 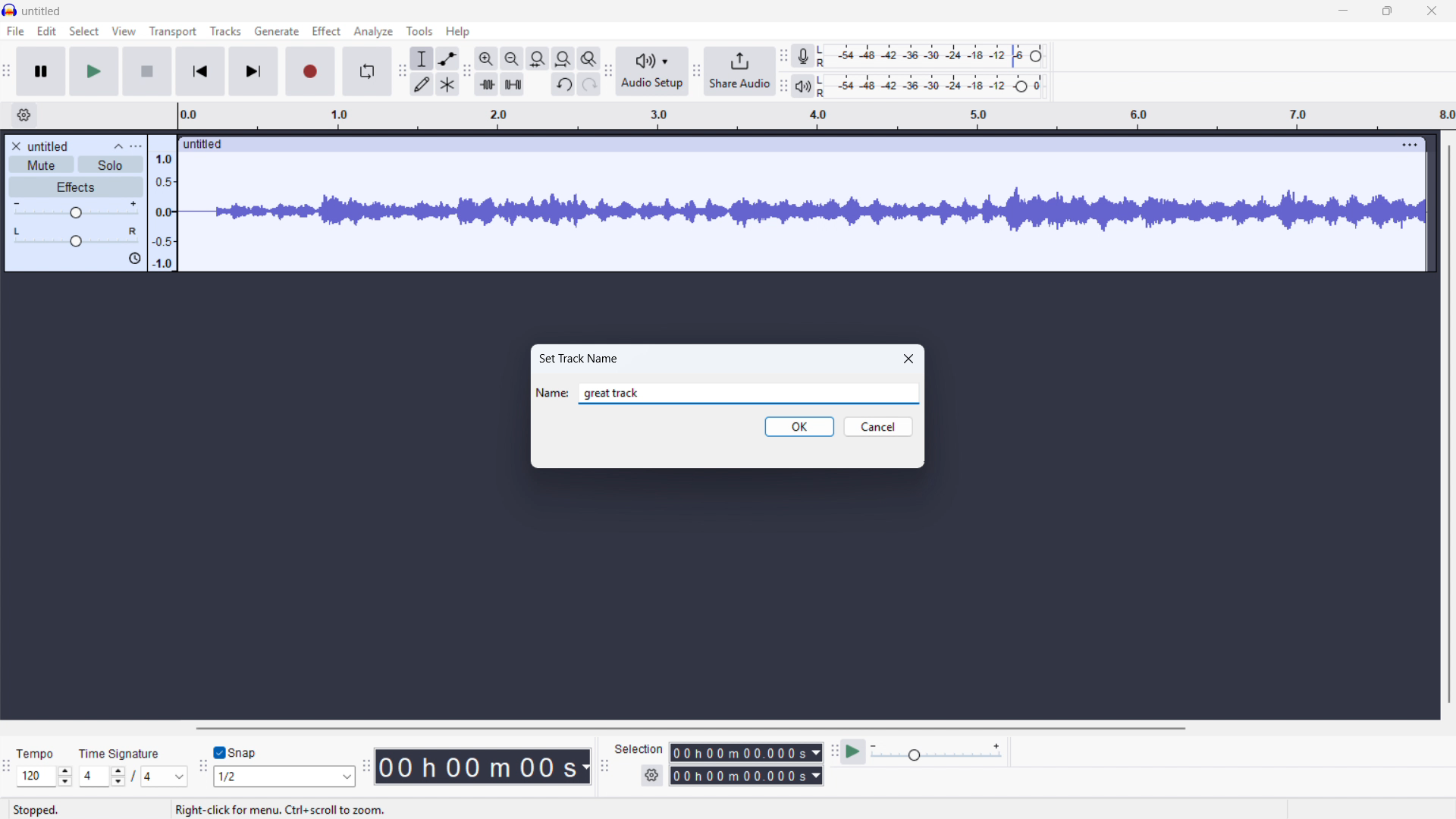 I want to click on Tracks , so click(x=226, y=30).